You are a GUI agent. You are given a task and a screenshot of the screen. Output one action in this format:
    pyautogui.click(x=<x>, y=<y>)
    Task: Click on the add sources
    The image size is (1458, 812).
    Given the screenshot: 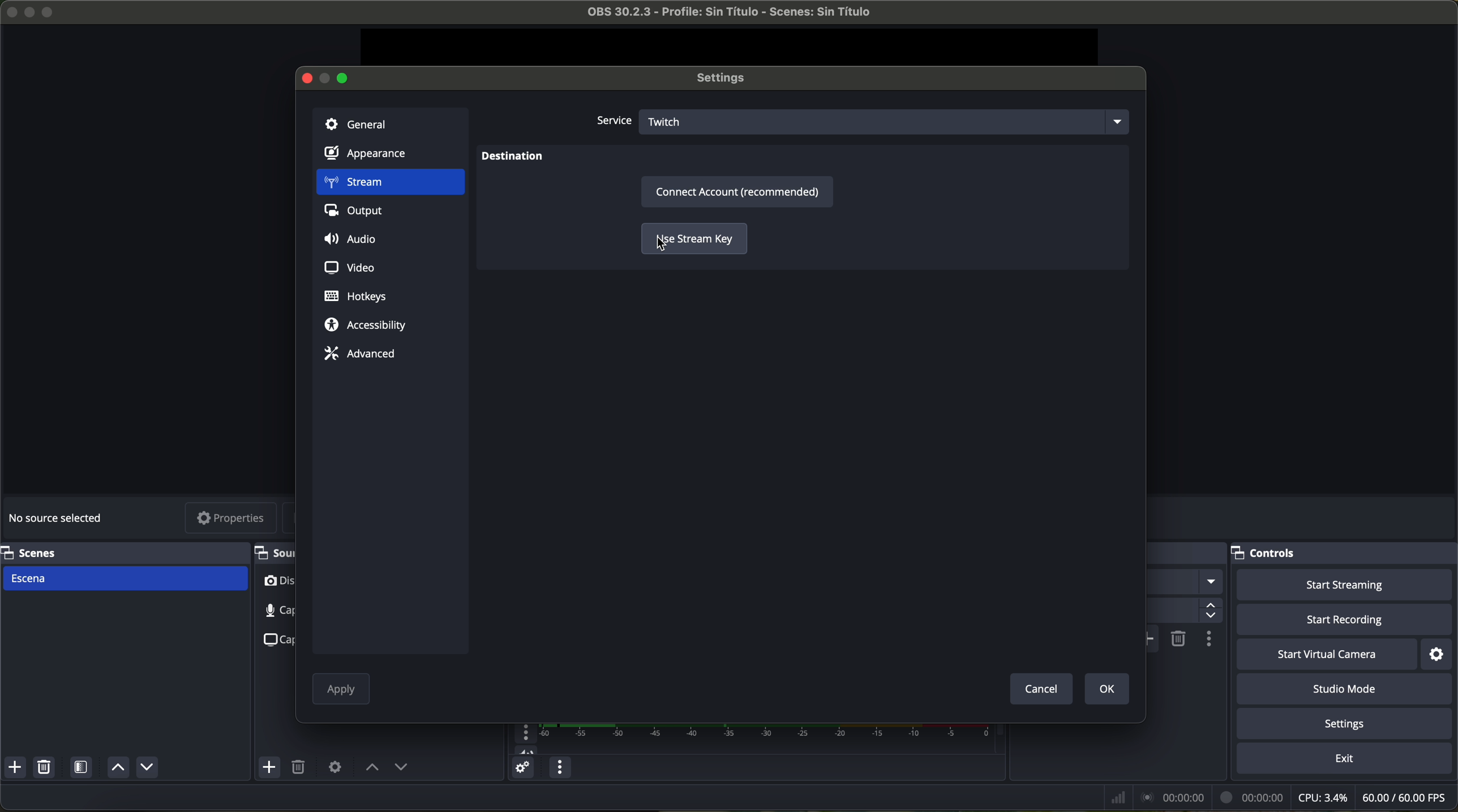 What is the action you would take?
    pyautogui.click(x=271, y=768)
    